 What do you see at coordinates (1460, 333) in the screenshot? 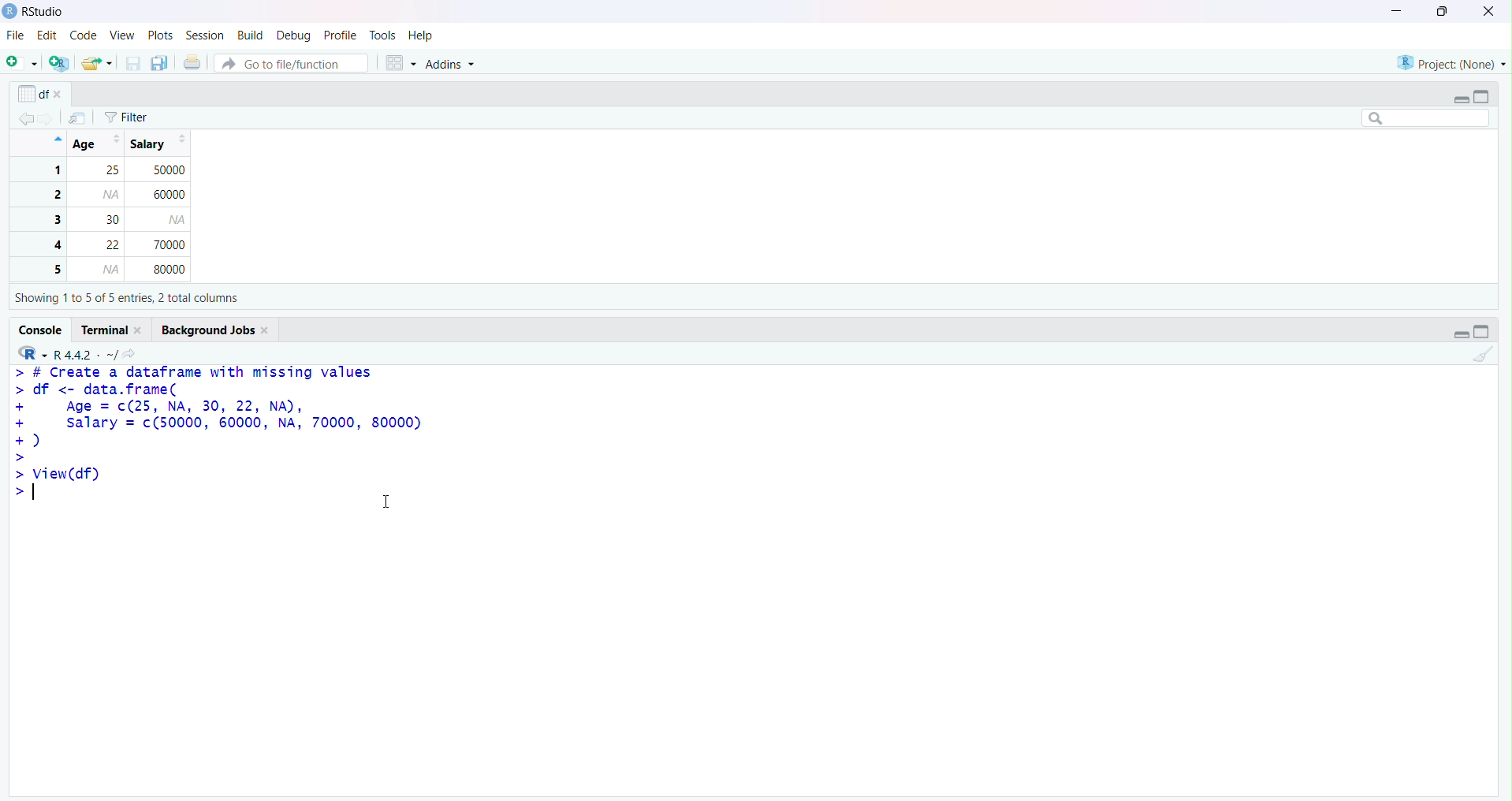
I see `Minimize` at bounding box center [1460, 333].